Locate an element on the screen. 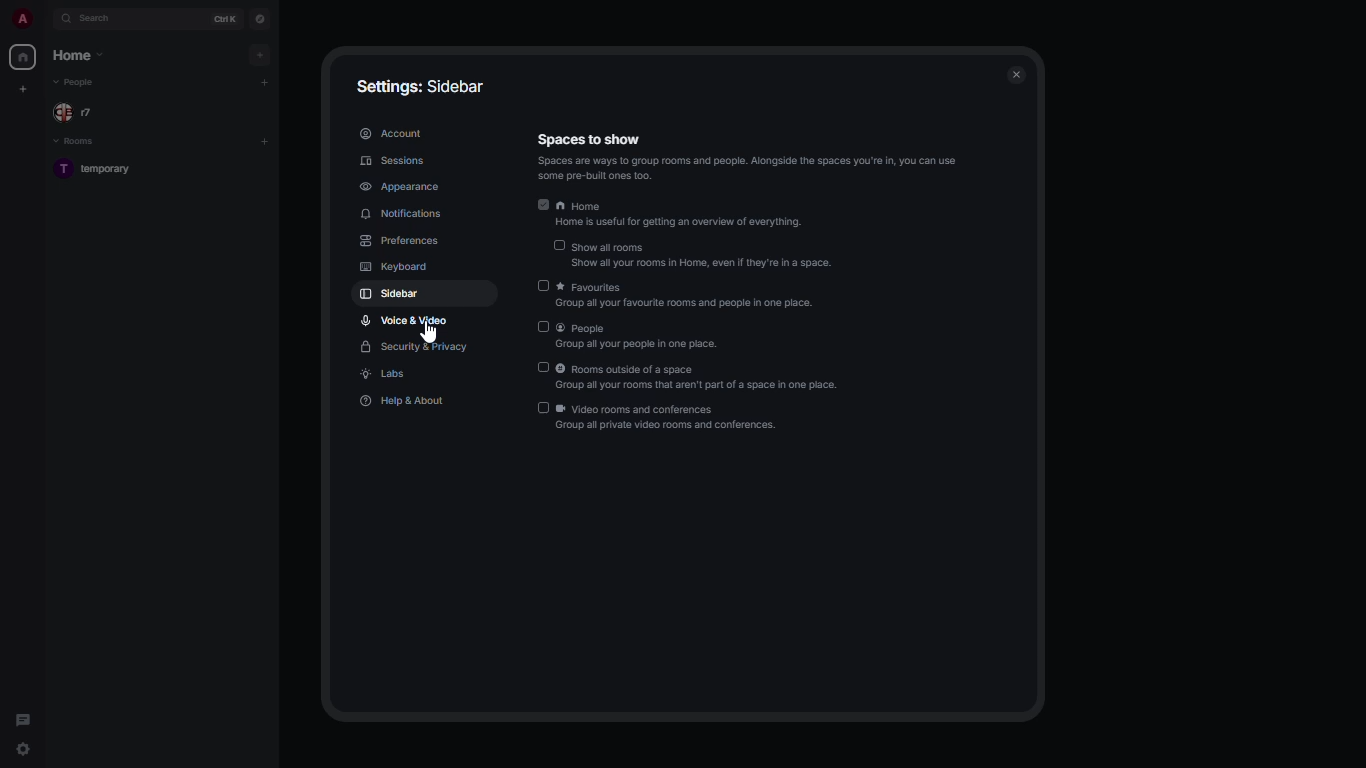  help & about is located at coordinates (404, 400).